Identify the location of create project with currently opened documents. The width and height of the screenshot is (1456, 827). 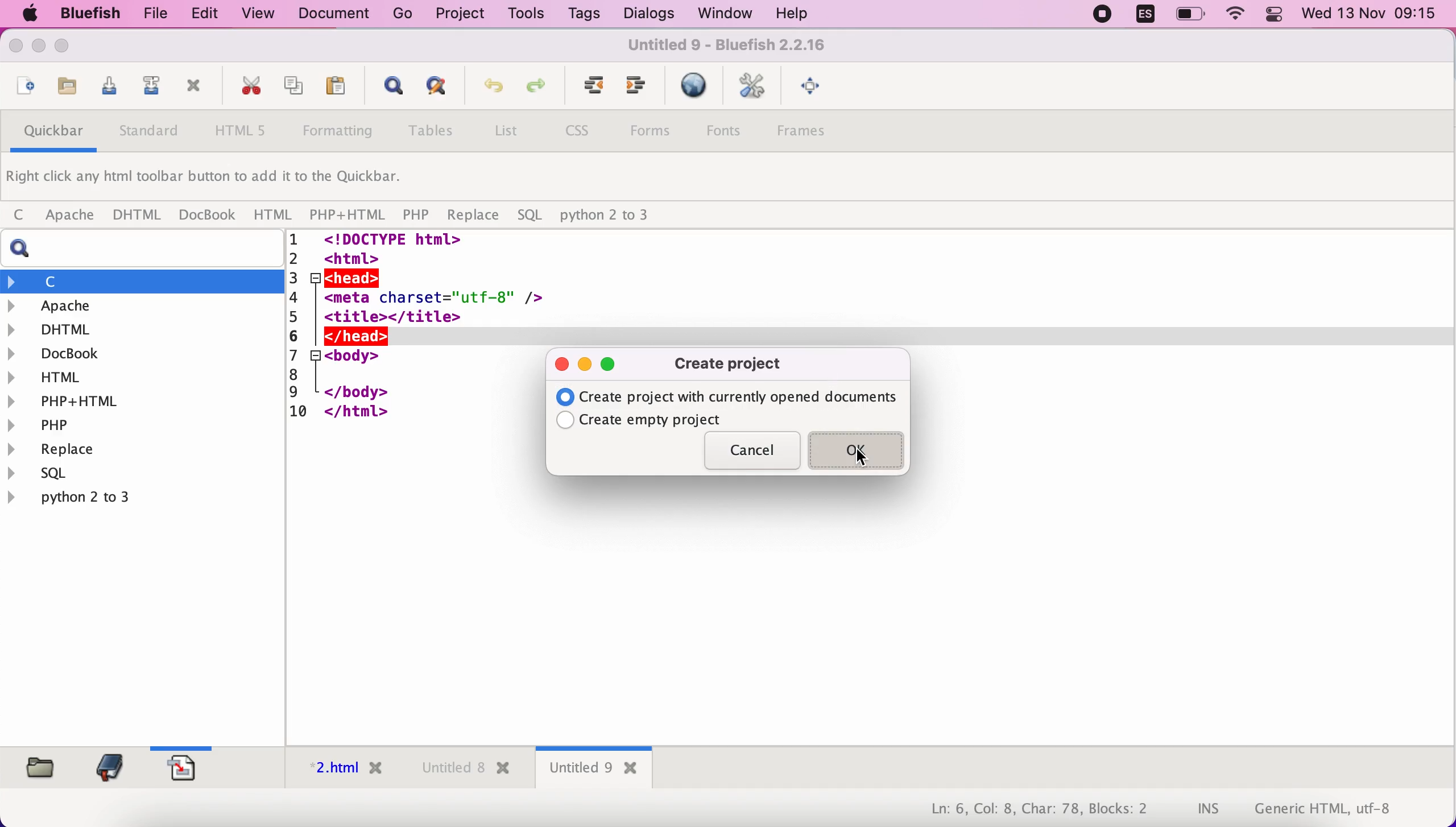
(730, 397).